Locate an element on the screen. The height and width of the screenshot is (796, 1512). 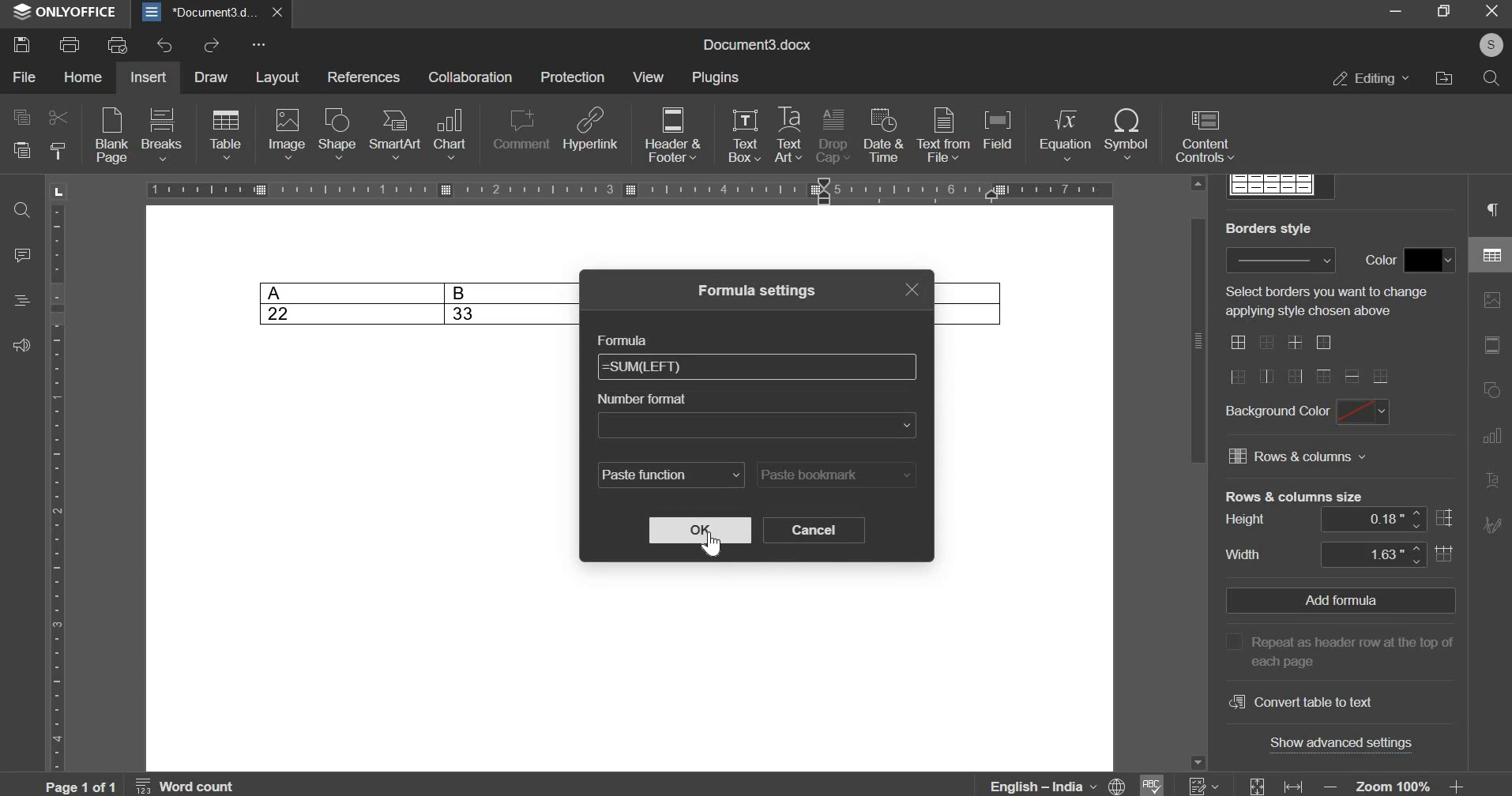
paste bookmark is located at coordinates (837, 475).